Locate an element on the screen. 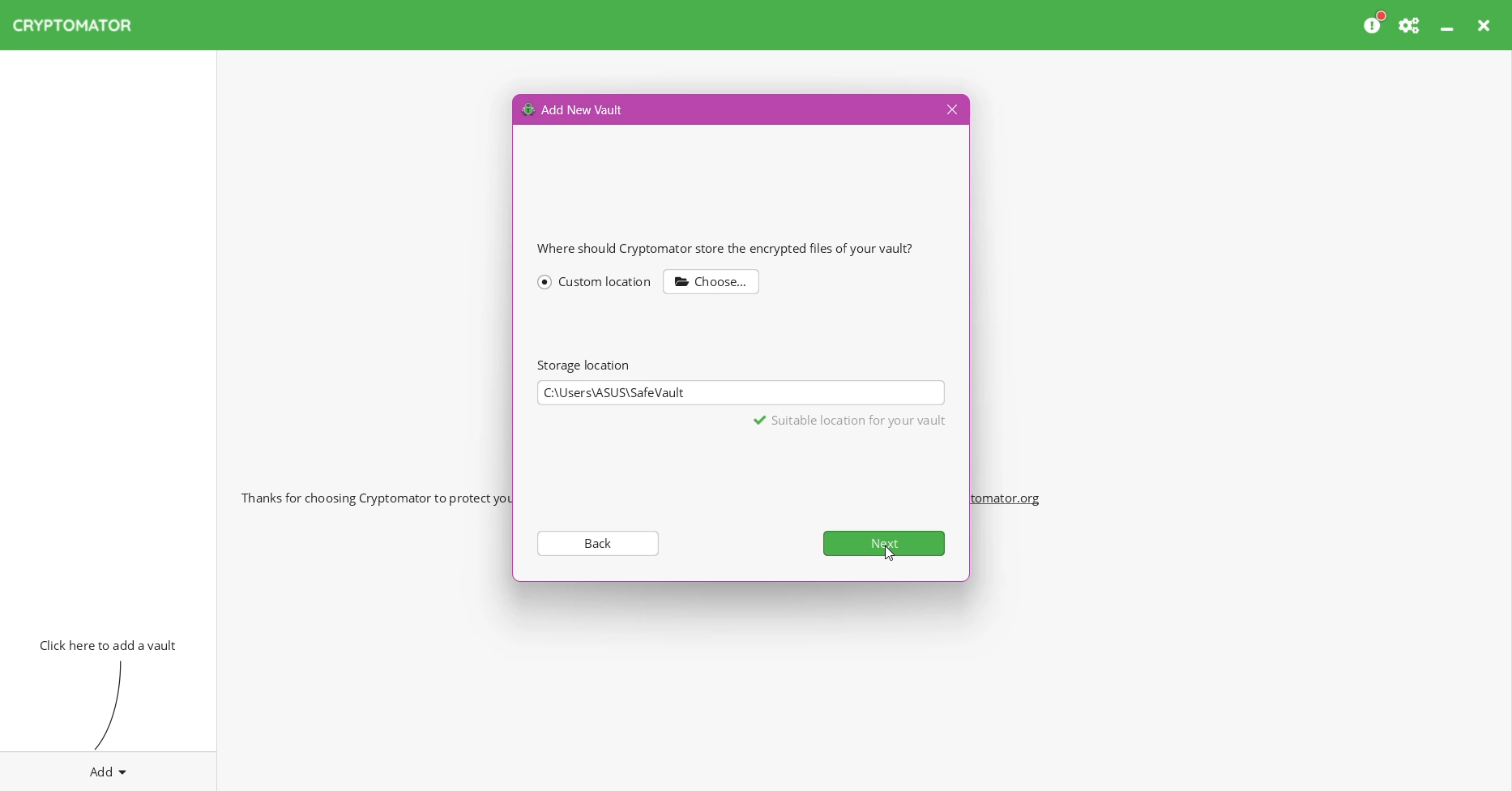 Image resolution: width=1512 pixels, height=791 pixels. Cursor is located at coordinates (888, 553).